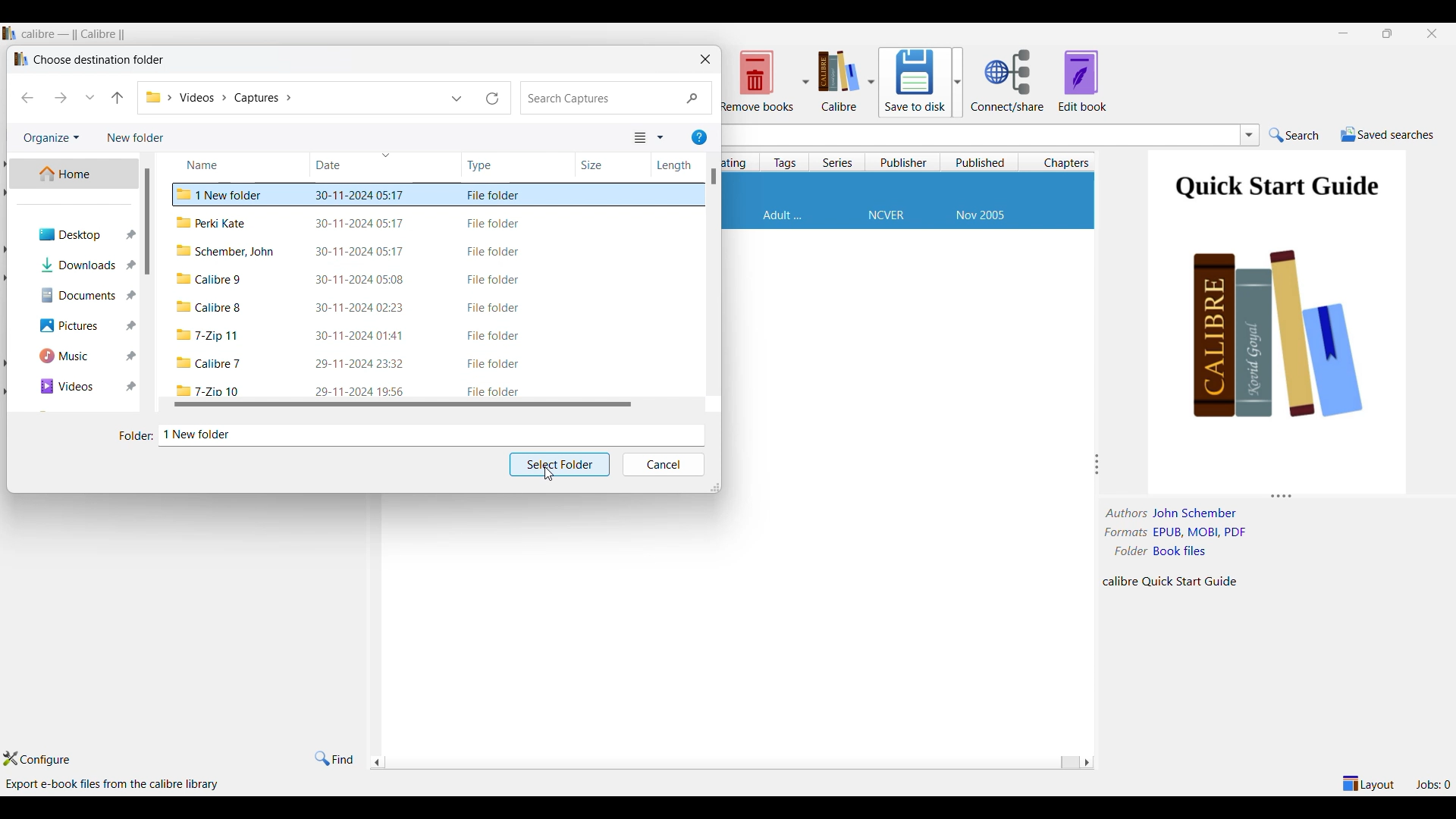 This screenshot has height=819, width=1456. What do you see at coordinates (493, 365) in the screenshot?
I see `file folder` at bounding box center [493, 365].